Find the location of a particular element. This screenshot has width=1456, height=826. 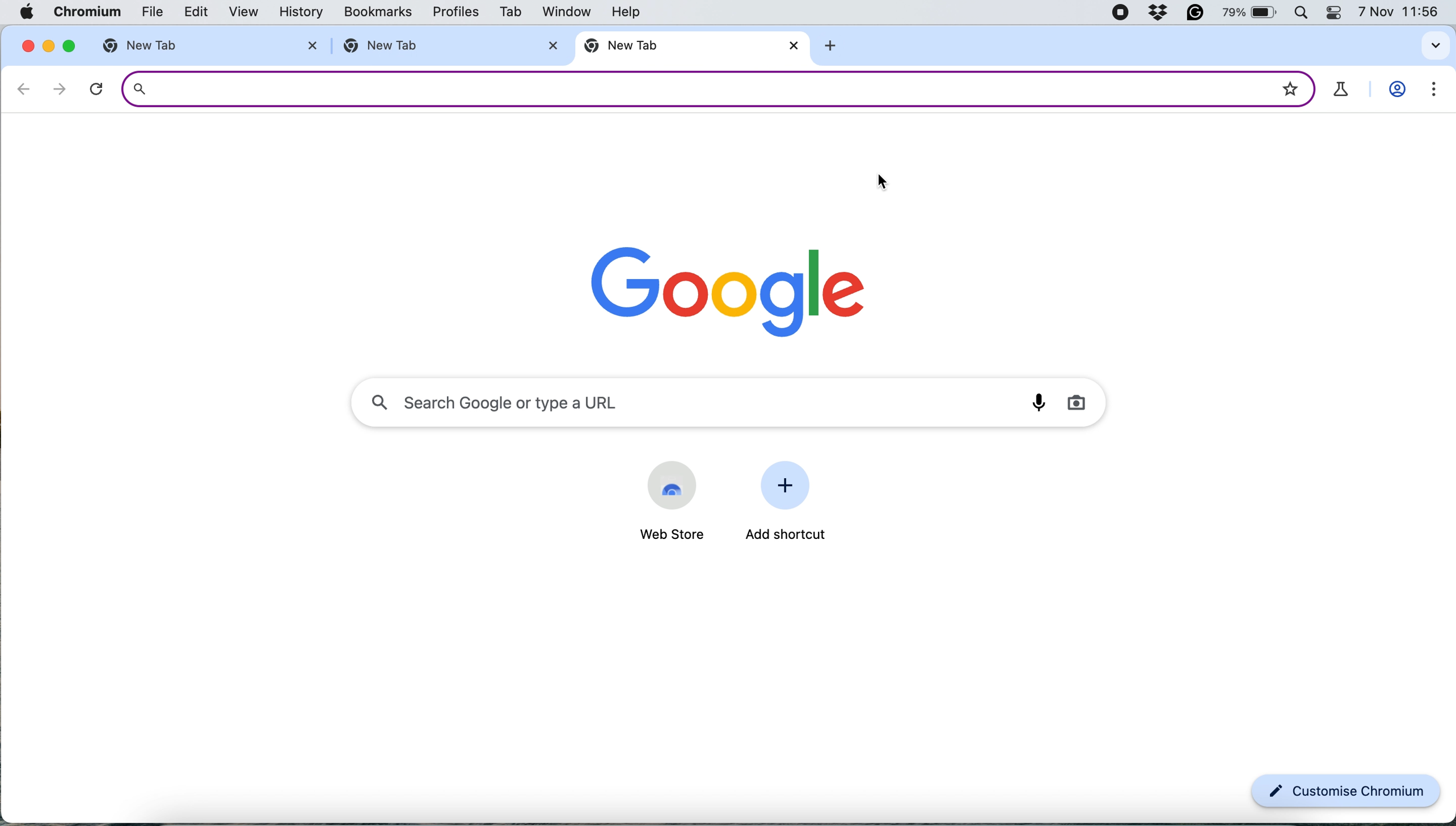

settings is located at coordinates (1429, 92).